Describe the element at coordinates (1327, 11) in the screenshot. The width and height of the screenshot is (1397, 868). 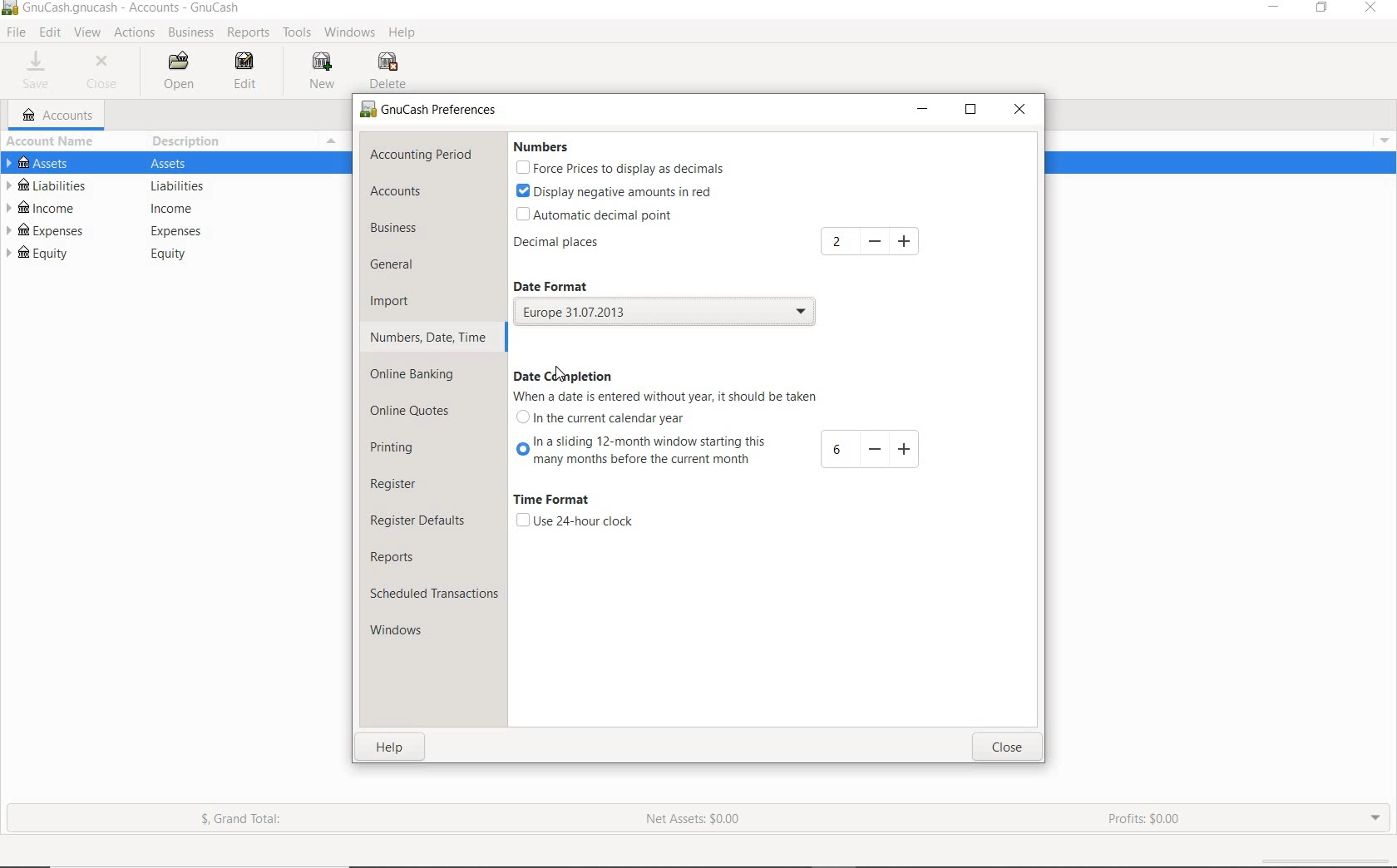
I see `RESTORE DOWN` at that location.